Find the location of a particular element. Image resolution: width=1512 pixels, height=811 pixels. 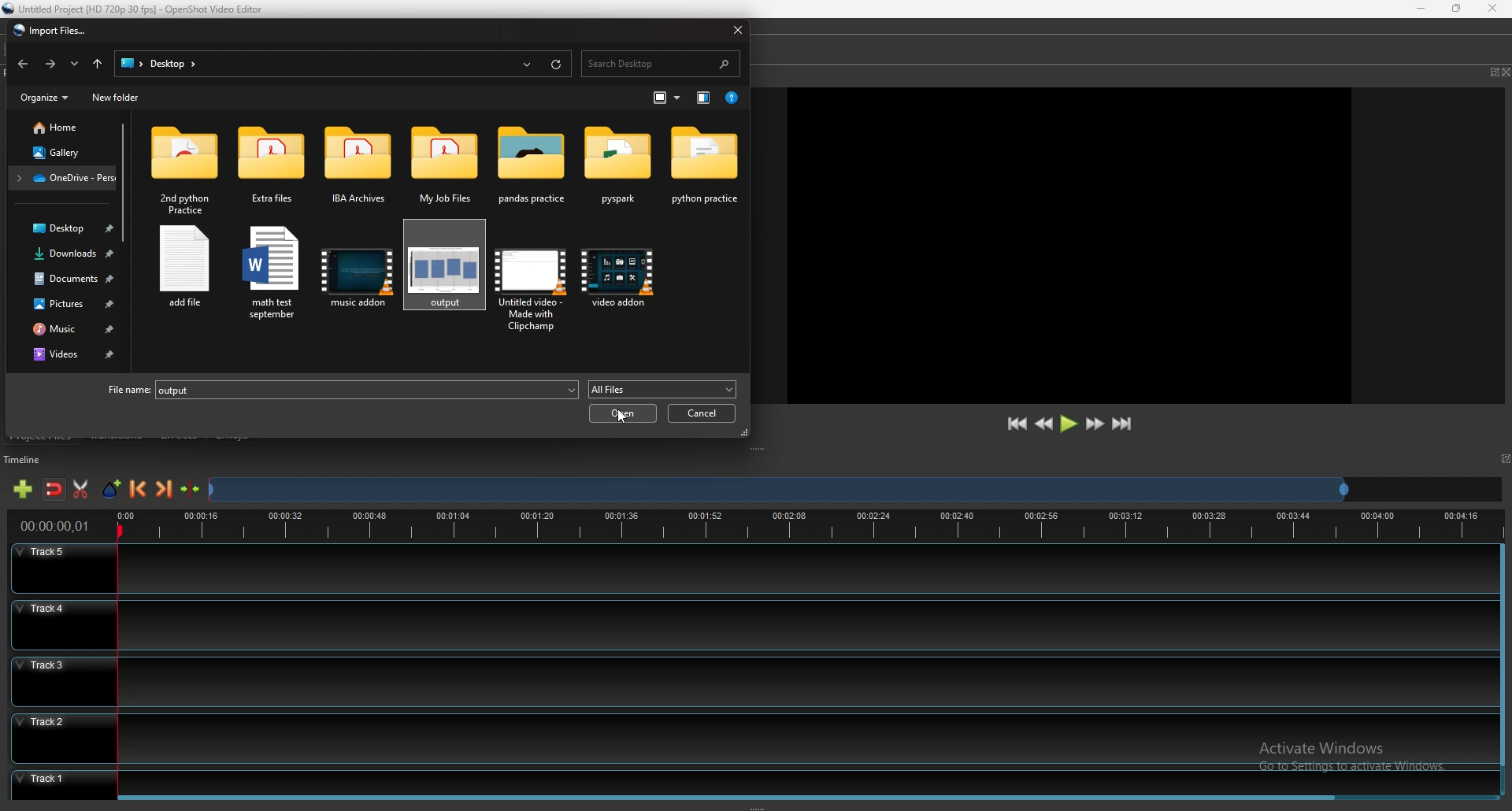

file name is located at coordinates (139, 8).